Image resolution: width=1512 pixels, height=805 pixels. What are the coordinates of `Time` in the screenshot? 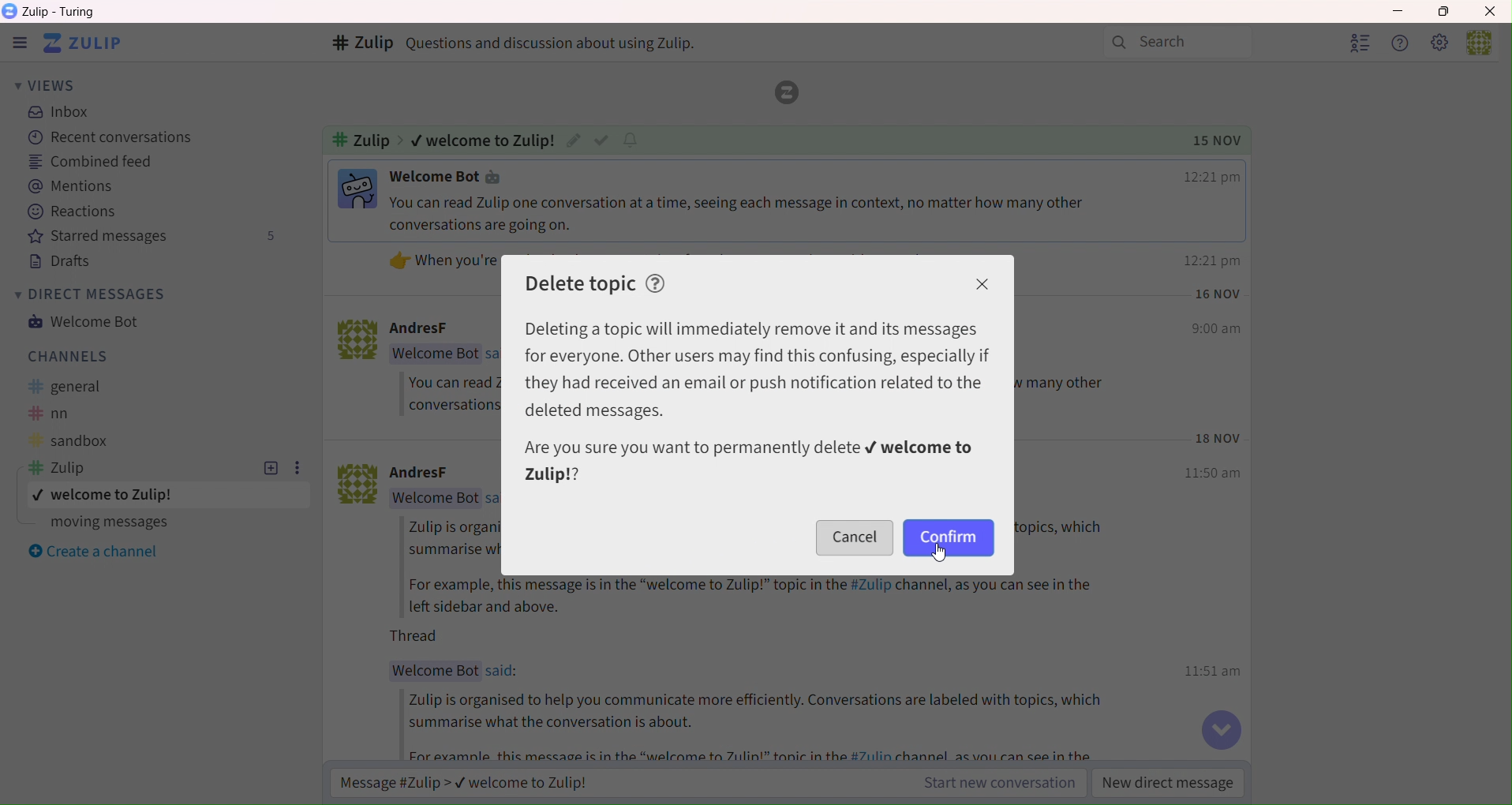 It's located at (1211, 177).